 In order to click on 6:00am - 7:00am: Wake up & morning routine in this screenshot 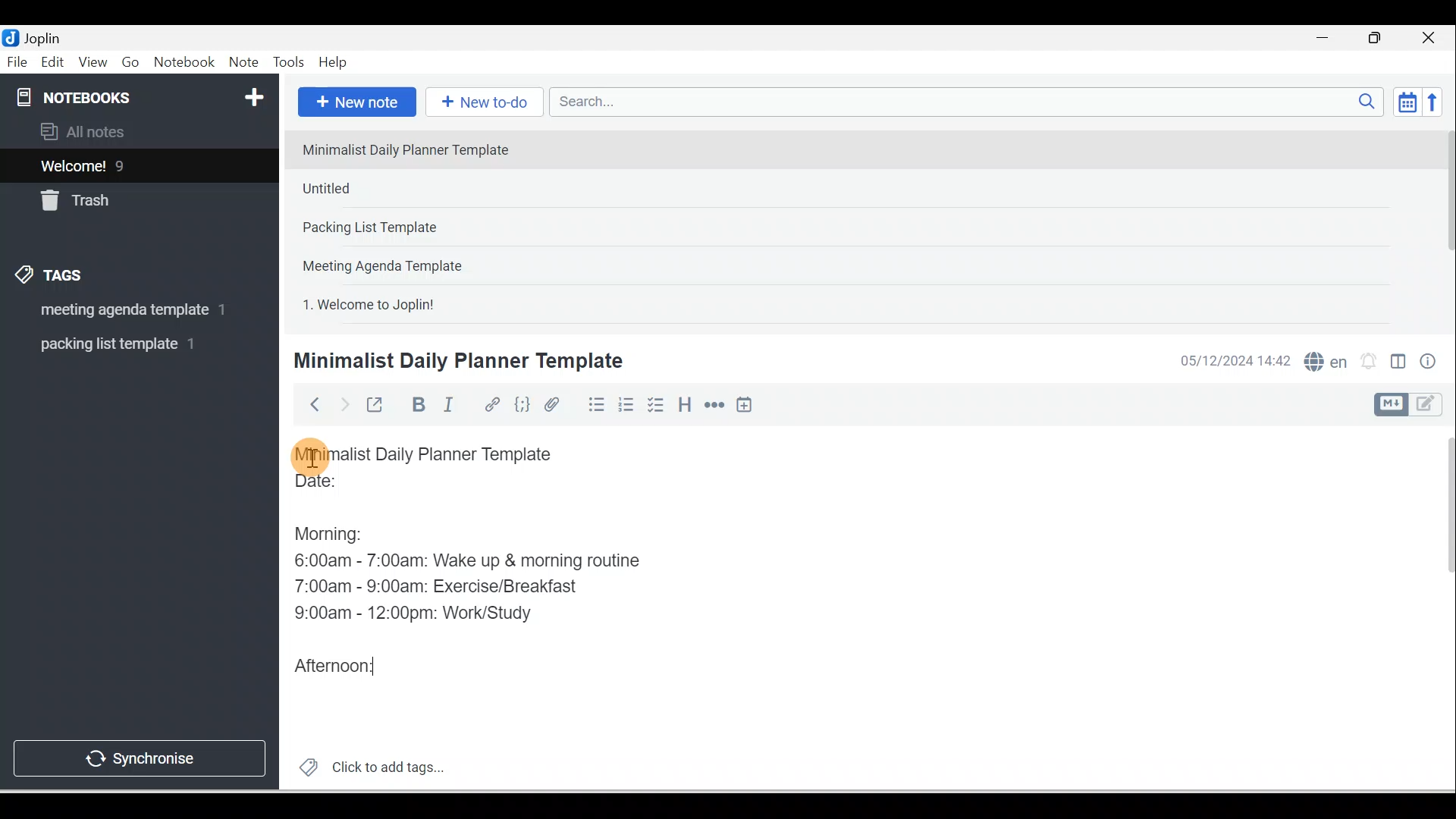, I will do `click(472, 560)`.